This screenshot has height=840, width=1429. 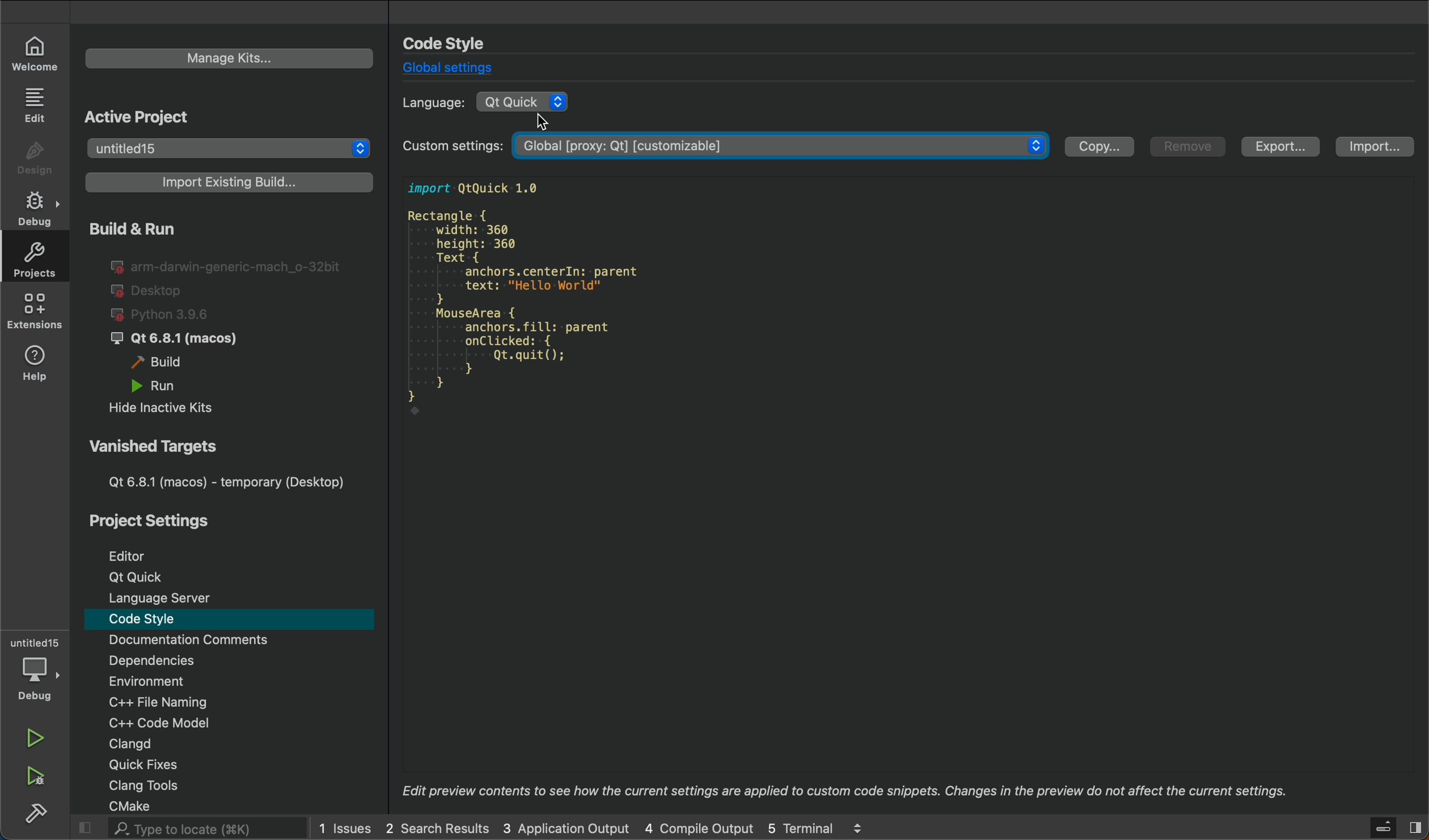 I want to click on select language, so click(x=527, y=110).